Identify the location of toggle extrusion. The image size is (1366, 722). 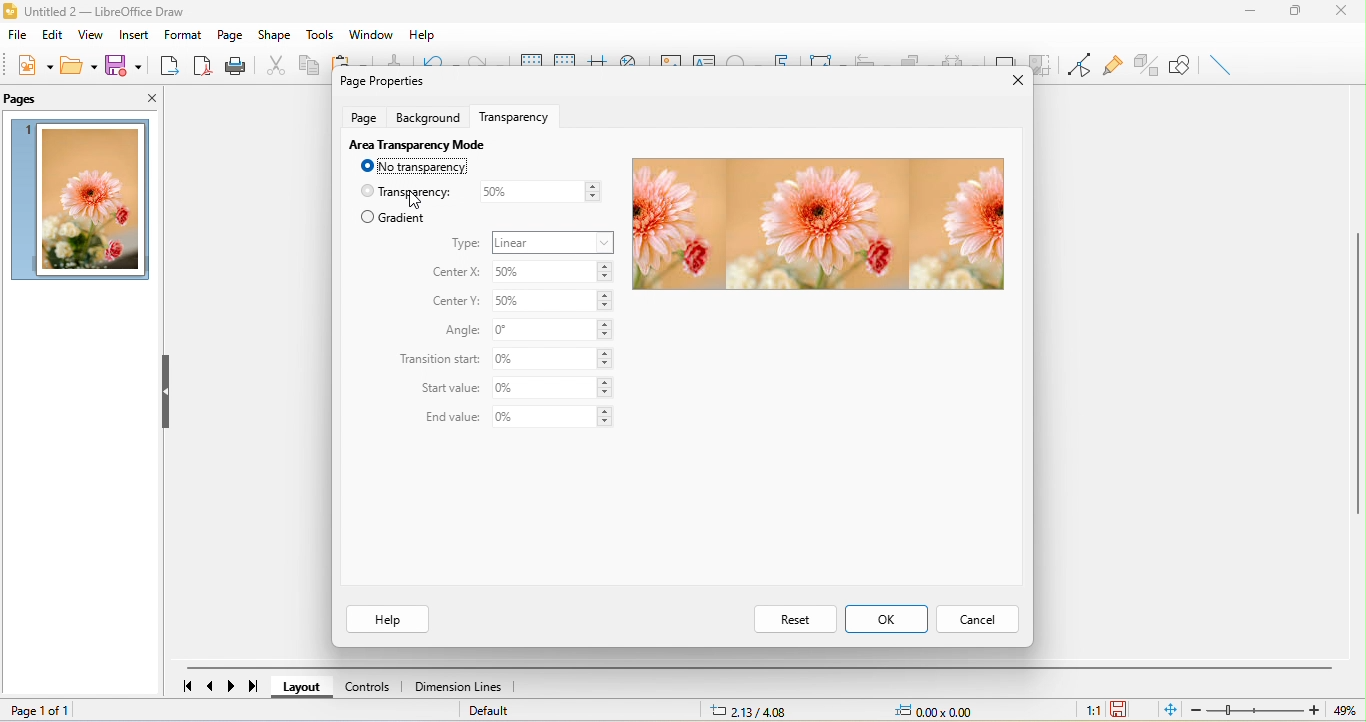
(1144, 65).